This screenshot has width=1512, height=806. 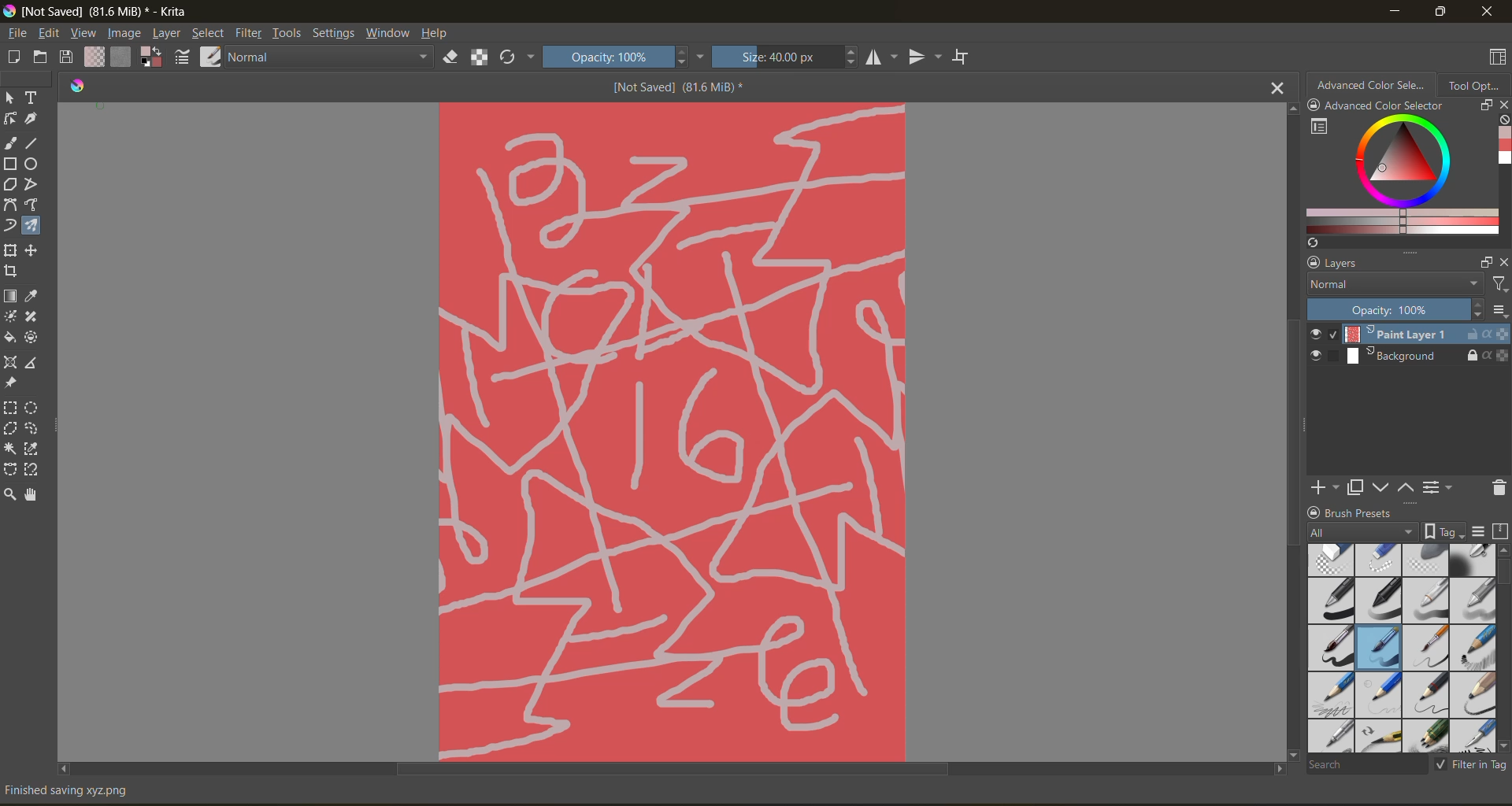 I want to click on tool, so click(x=10, y=184).